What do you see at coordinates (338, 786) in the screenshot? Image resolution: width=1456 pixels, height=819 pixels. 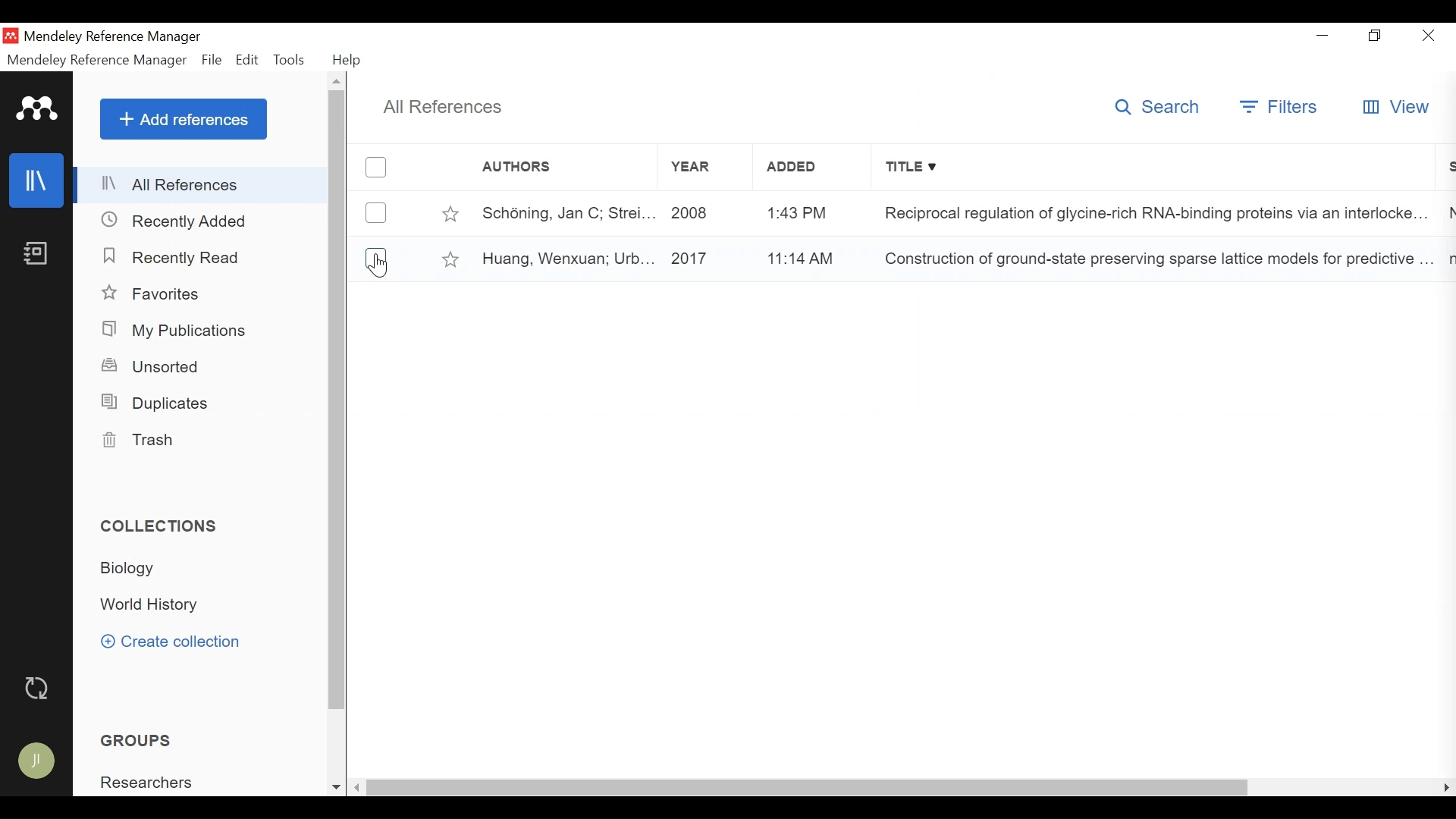 I see `Scroll Down` at bounding box center [338, 786].